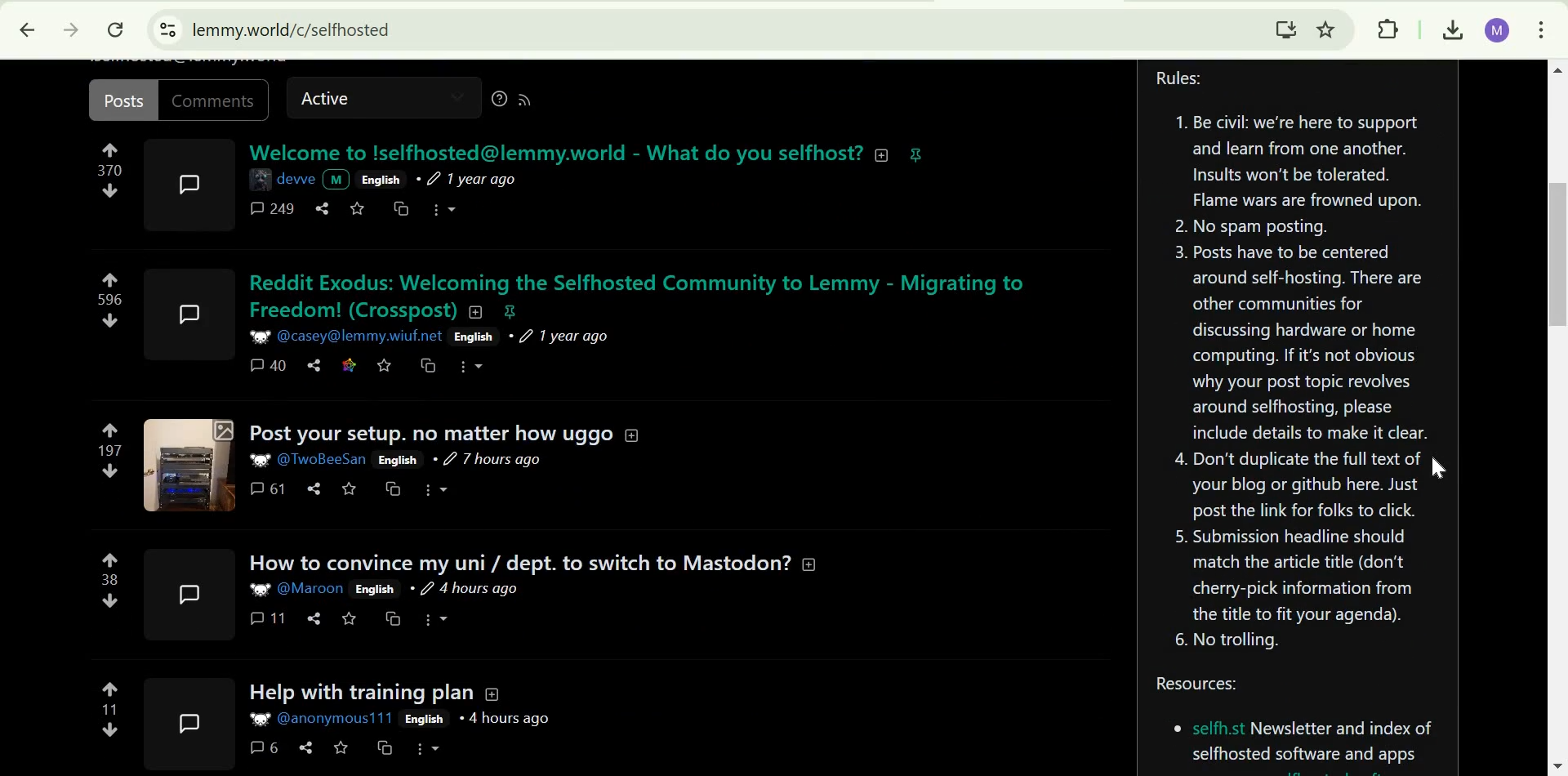 This screenshot has width=1568, height=776. I want to click on More, so click(429, 749).